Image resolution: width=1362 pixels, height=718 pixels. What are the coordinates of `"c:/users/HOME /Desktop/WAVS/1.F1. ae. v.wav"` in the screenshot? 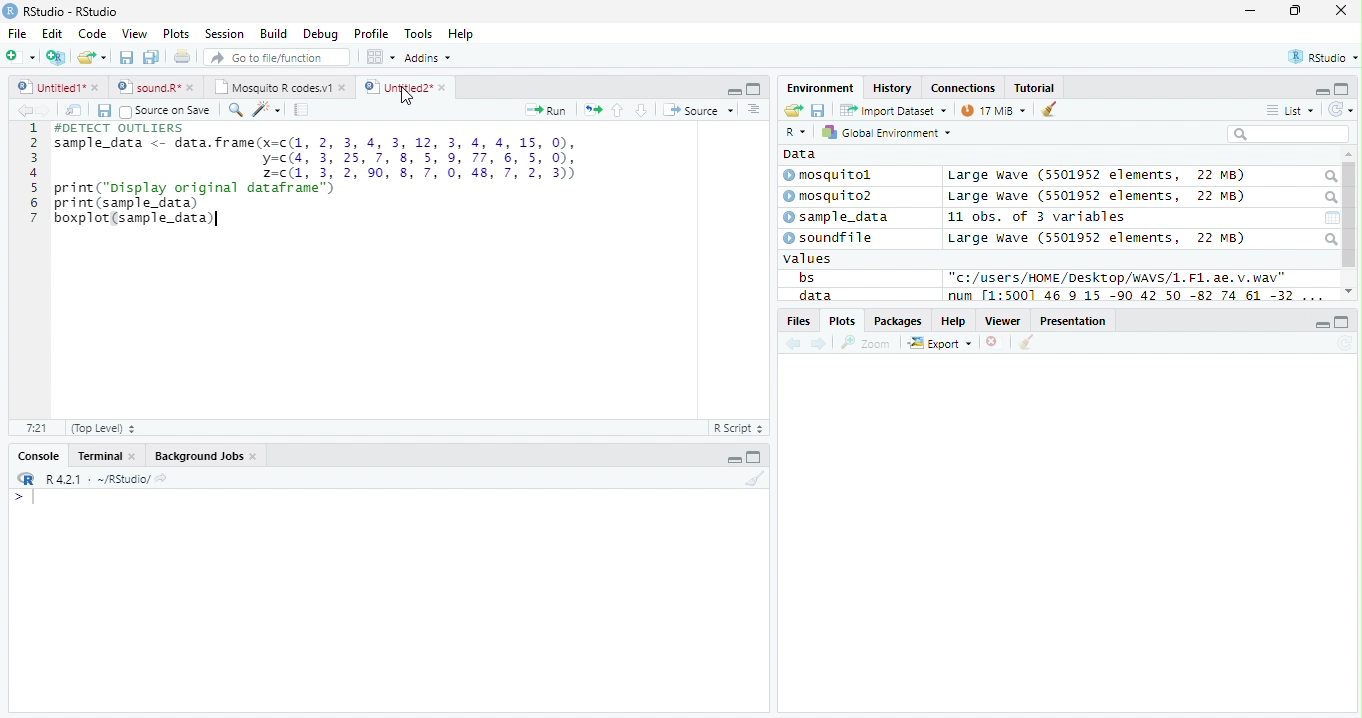 It's located at (1118, 277).